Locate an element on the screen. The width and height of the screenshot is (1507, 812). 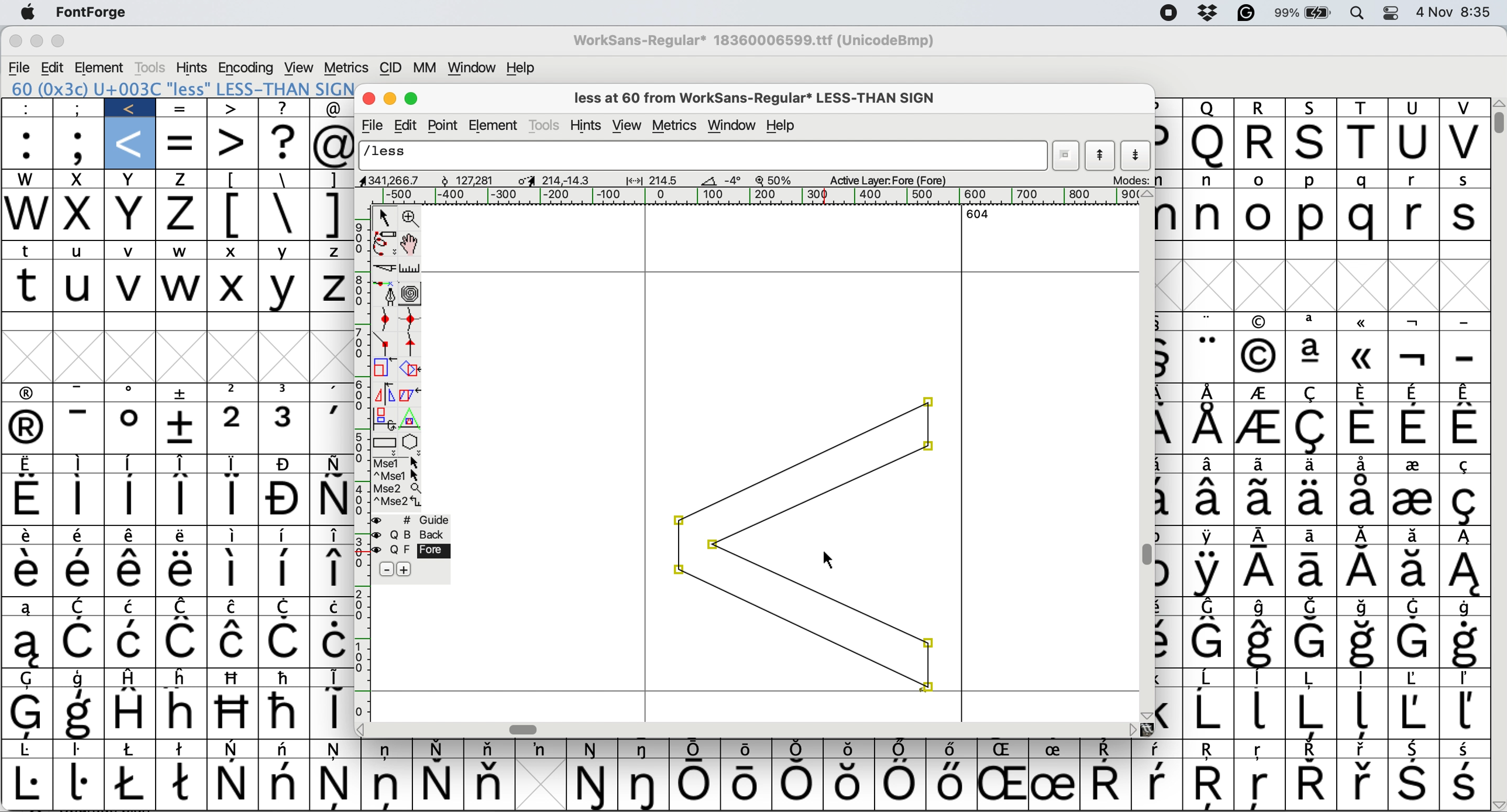
Symbol is located at coordinates (80, 713).